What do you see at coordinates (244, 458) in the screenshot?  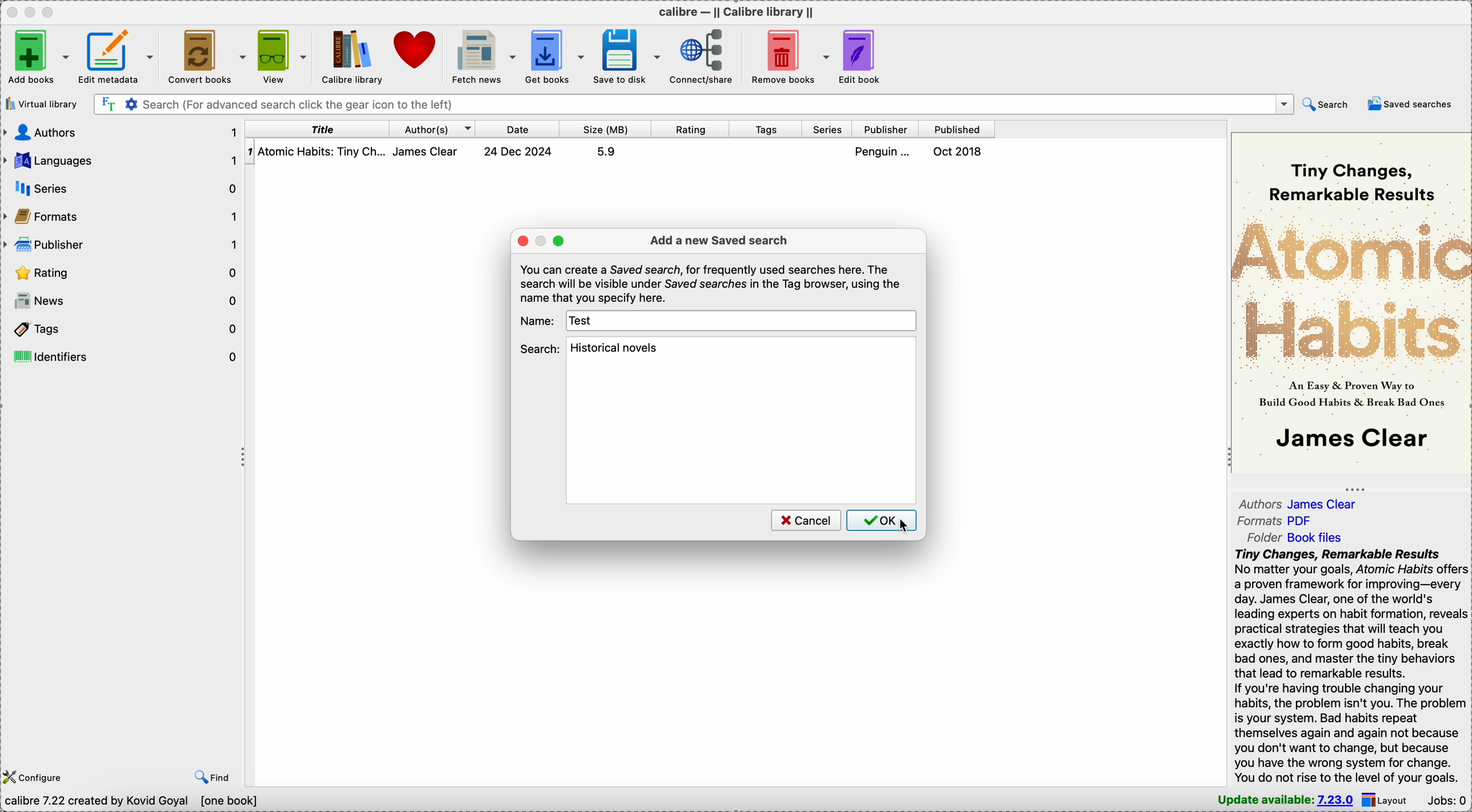 I see `toggle expand/contract` at bounding box center [244, 458].